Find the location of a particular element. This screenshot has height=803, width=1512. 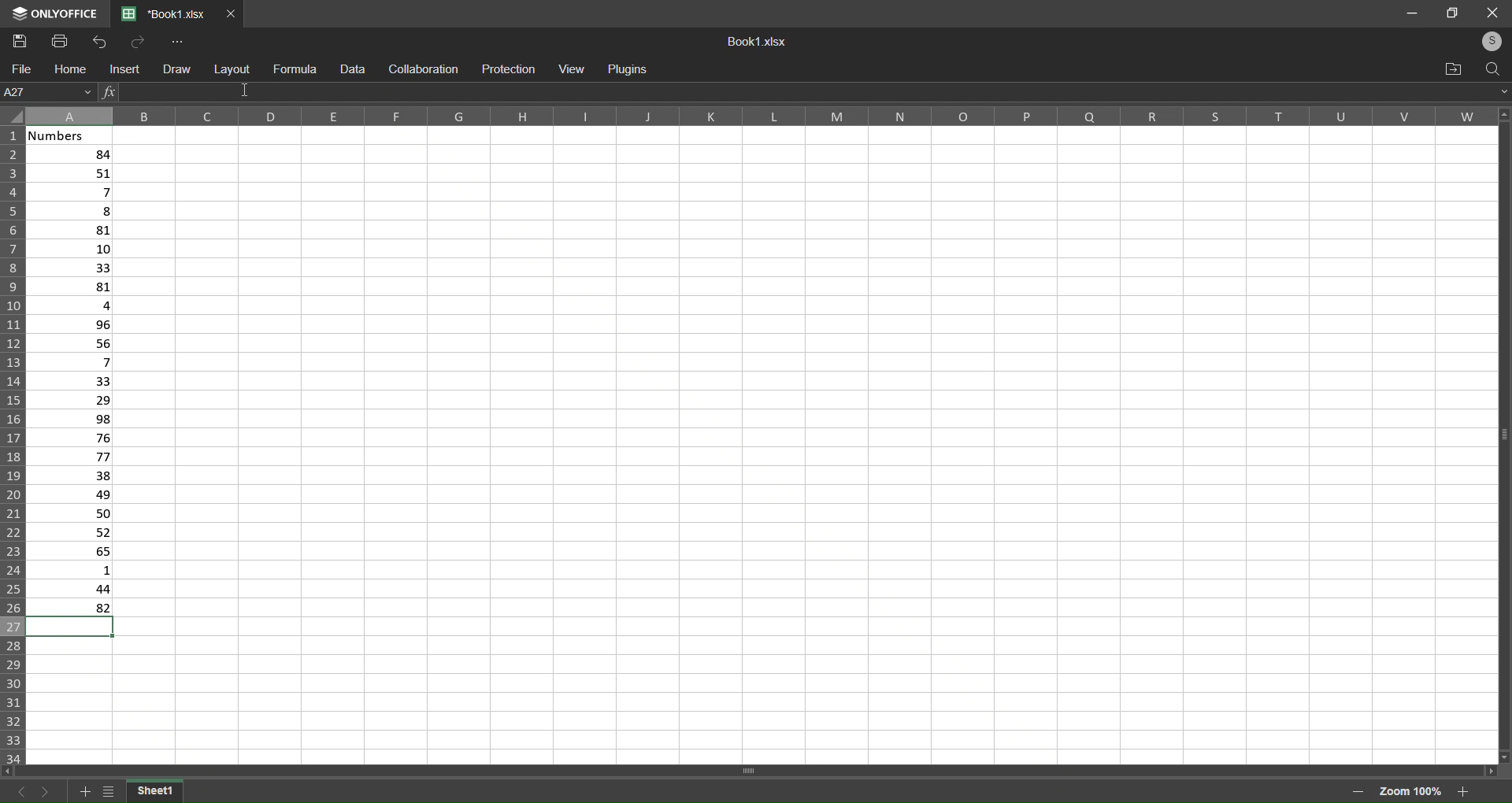

draw is located at coordinates (175, 69).